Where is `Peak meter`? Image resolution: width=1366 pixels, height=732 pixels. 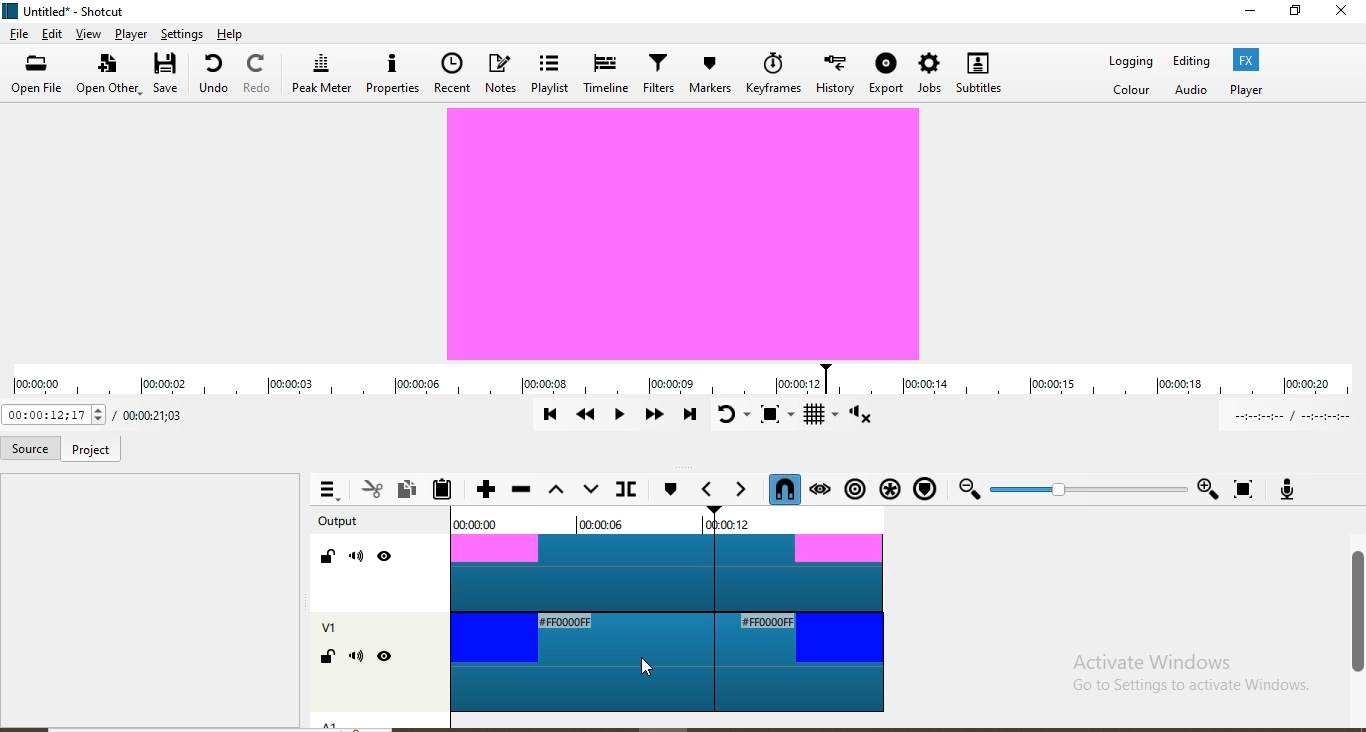
Peak meter is located at coordinates (321, 78).